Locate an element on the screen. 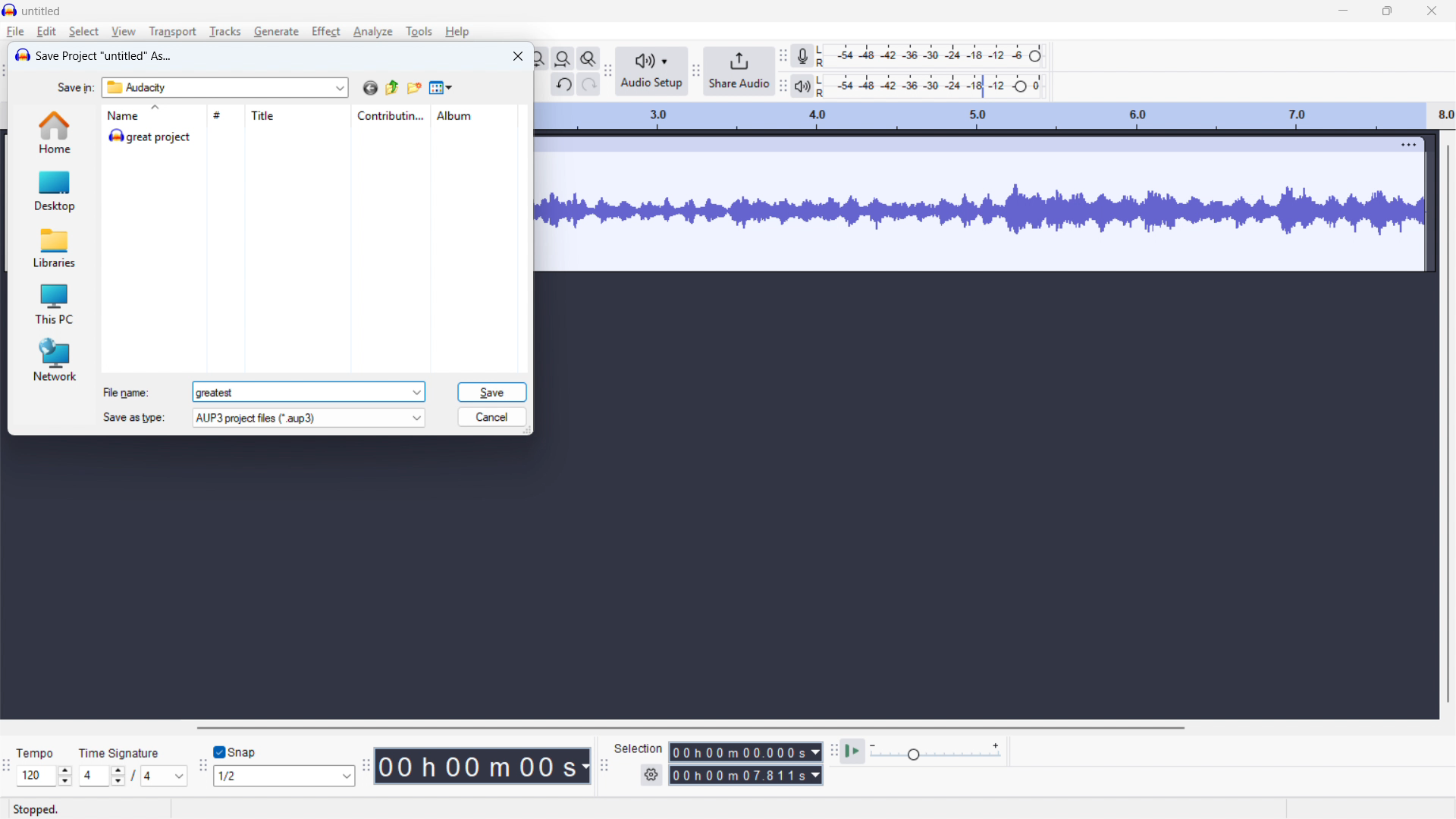 The width and height of the screenshot is (1456, 819). share audio is located at coordinates (739, 72).